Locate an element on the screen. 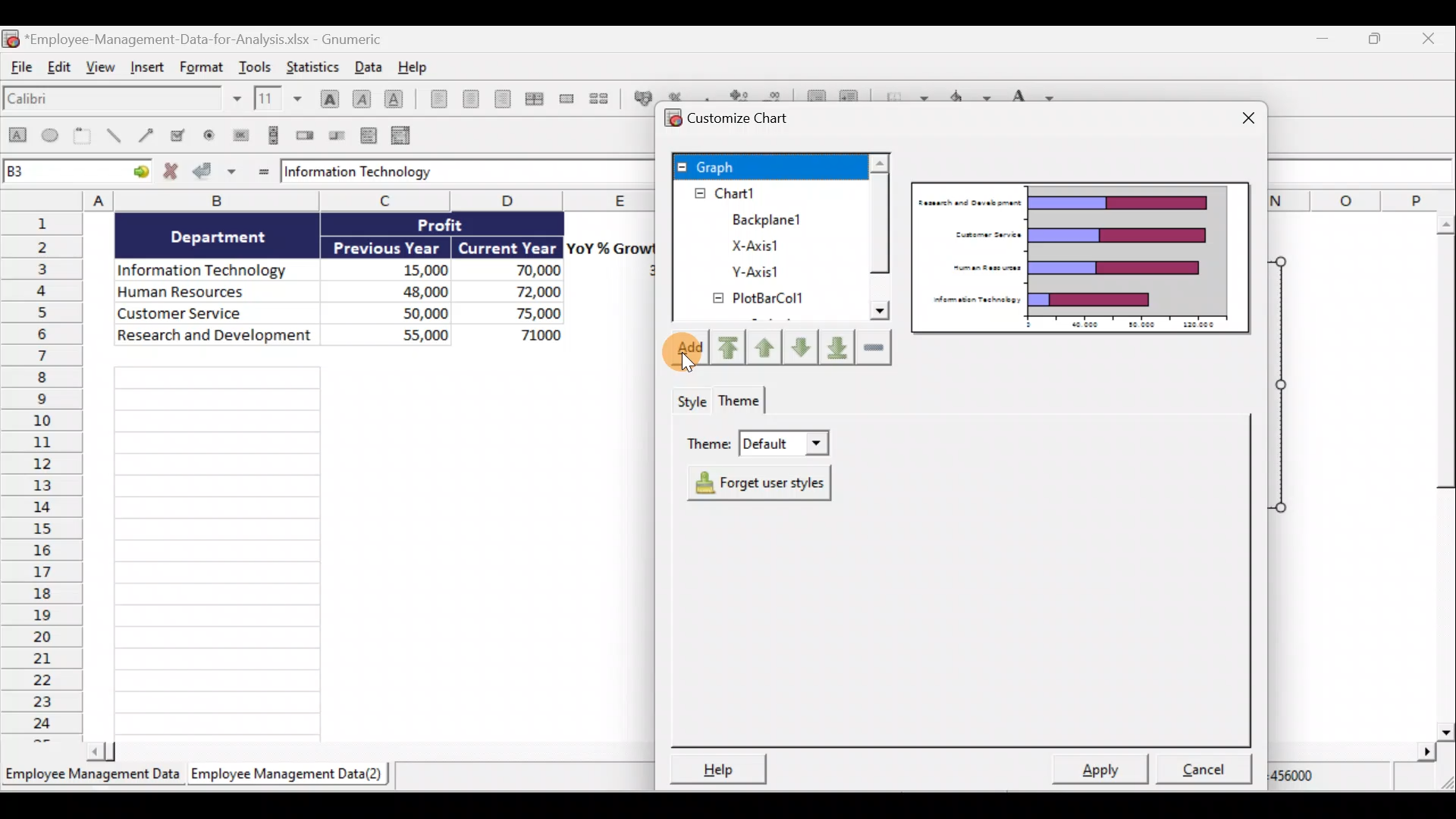 The height and width of the screenshot is (819, 1456). Create a button is located at coordinates (240, 133).